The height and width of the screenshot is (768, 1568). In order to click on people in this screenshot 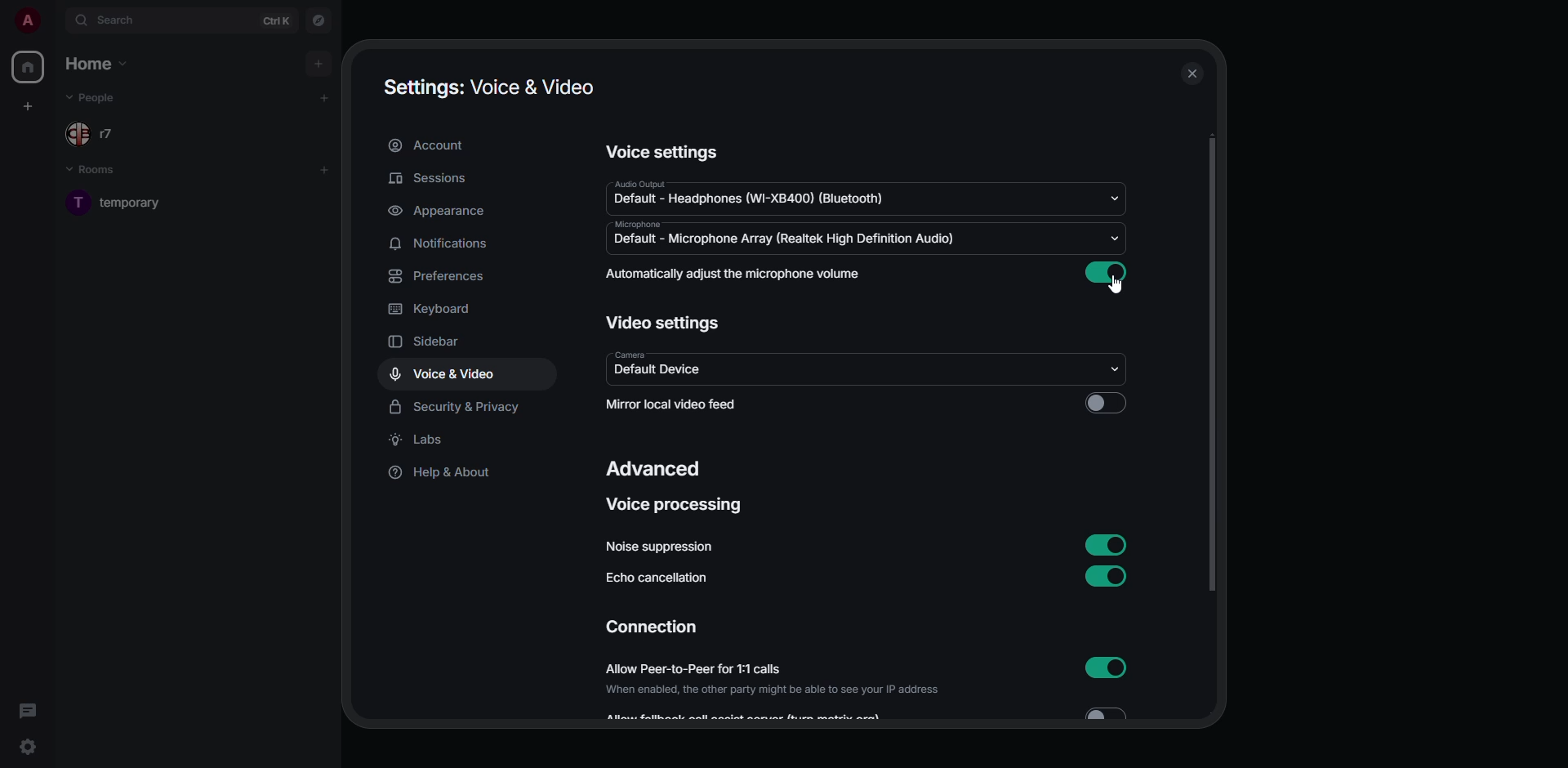, I will do `click(98, 97)`.